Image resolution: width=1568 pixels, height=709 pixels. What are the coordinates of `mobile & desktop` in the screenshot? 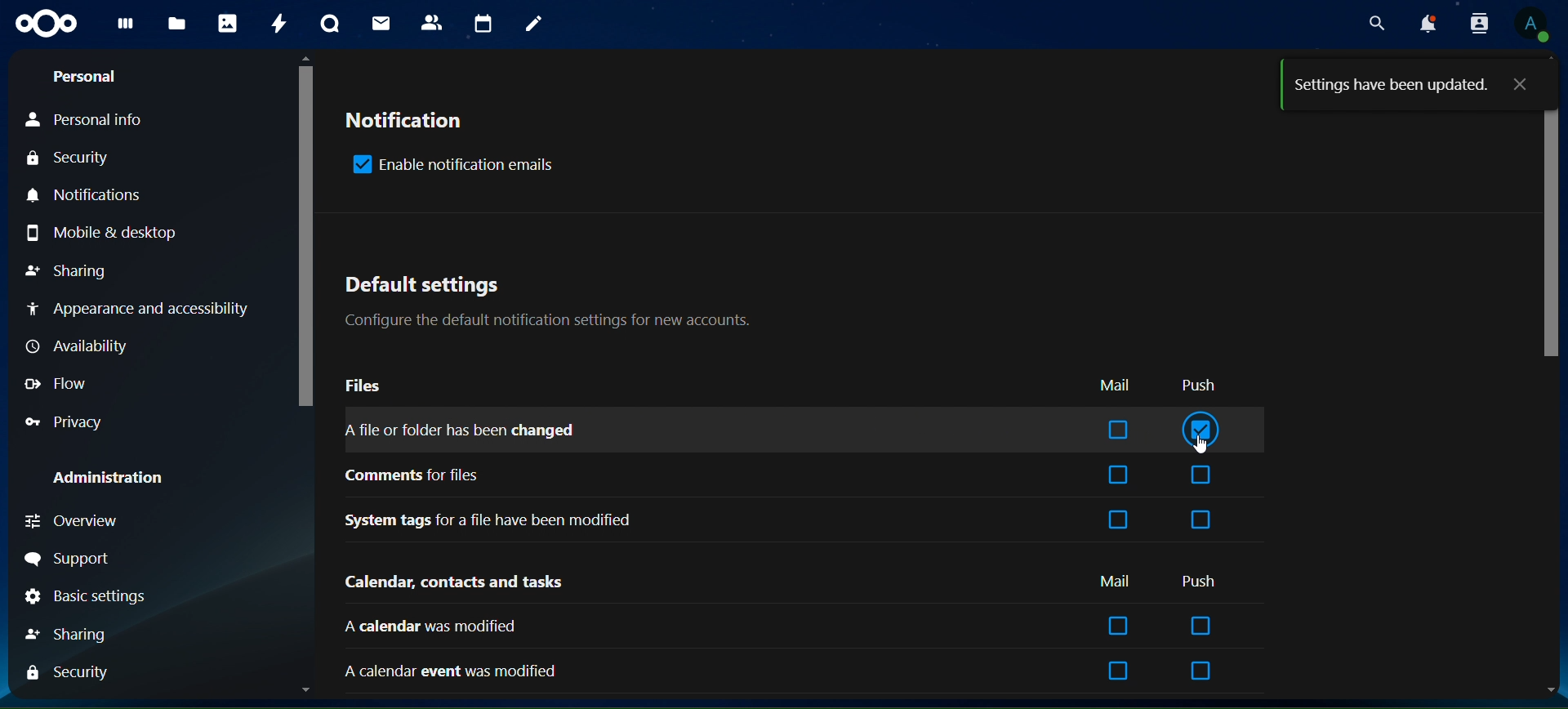 It's located at (124, 234).